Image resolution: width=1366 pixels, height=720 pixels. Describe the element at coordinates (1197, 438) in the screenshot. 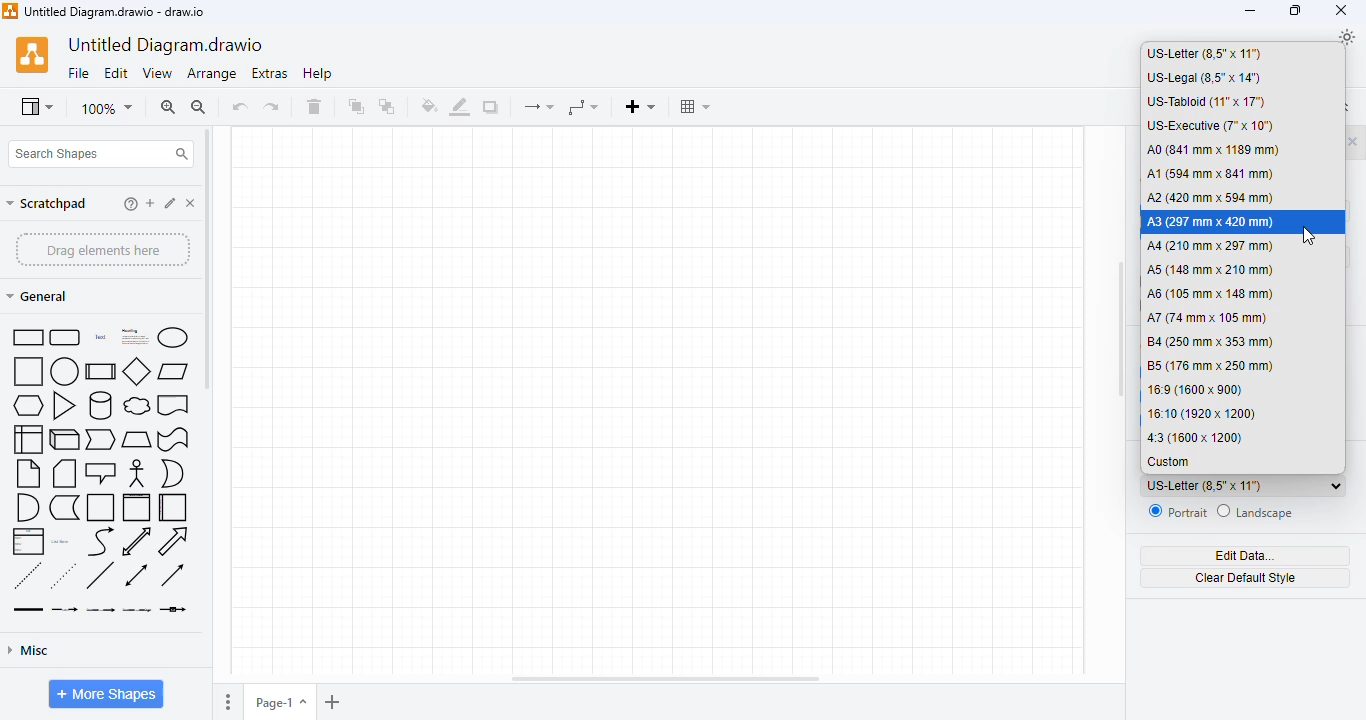

I see `4:3` at that location.